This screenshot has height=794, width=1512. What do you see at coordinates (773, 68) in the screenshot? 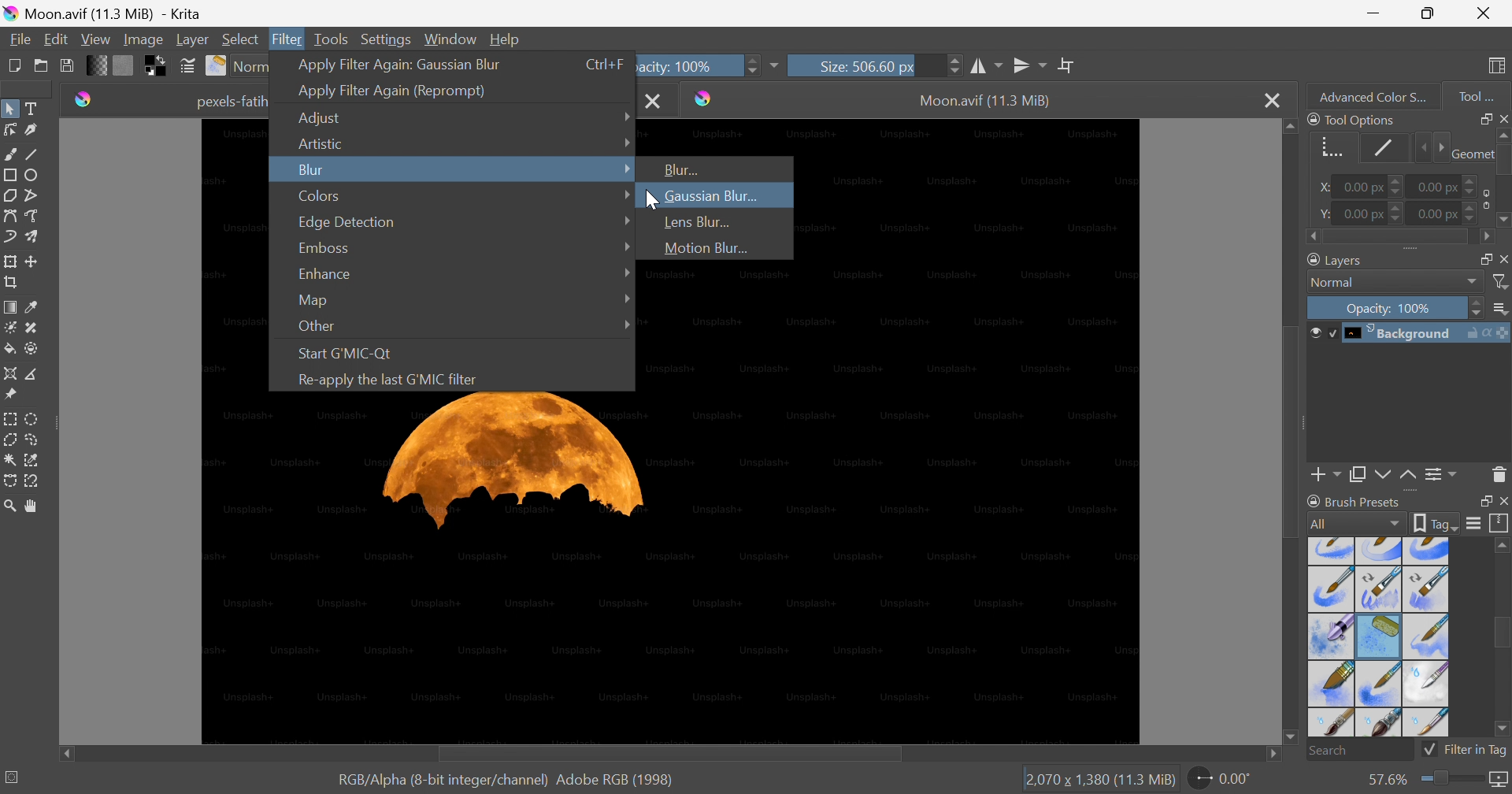
I see `More` at bounding box center [773, 68].